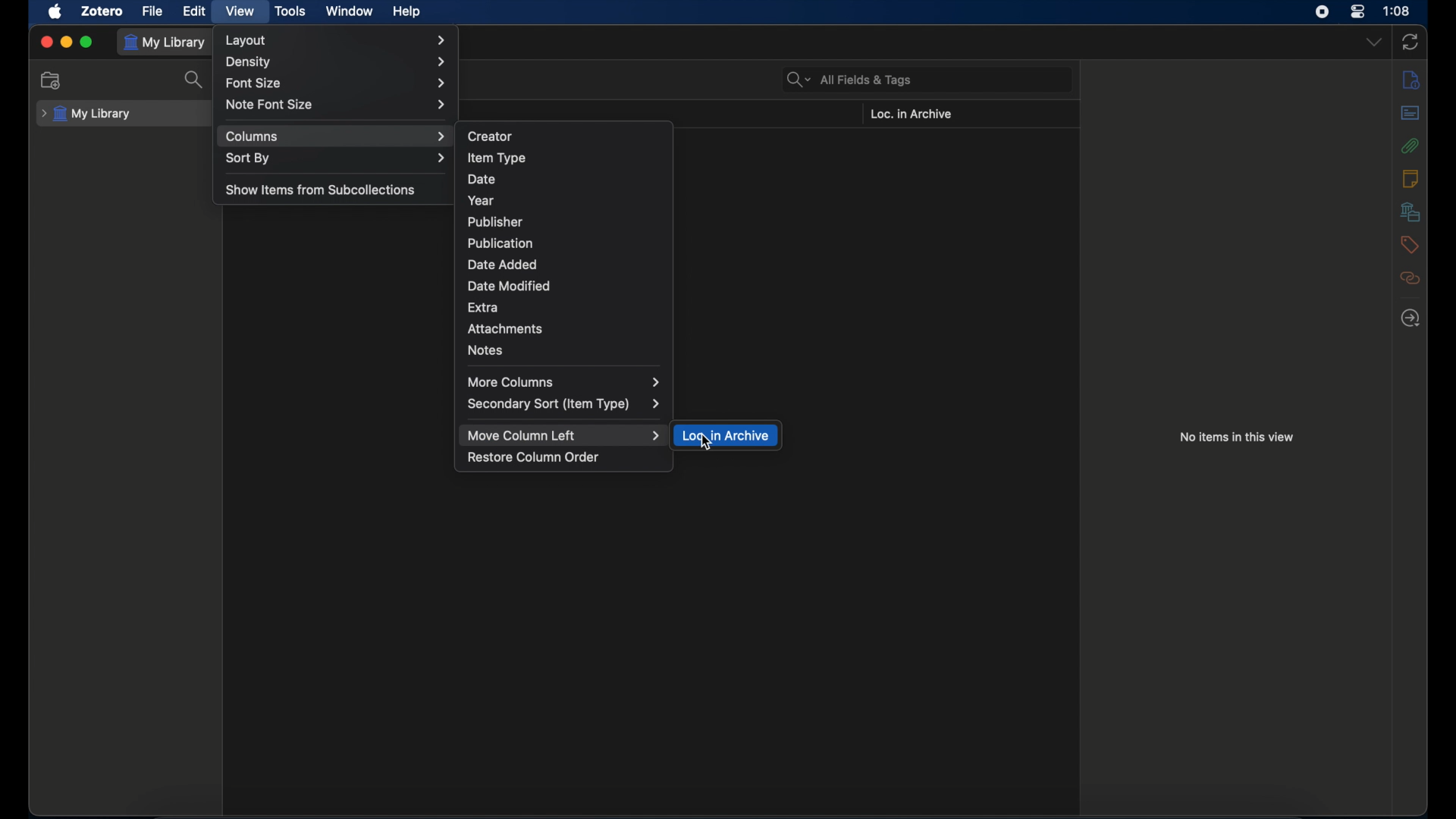  What do you see at coordinates (51, 80) in the screenshot?
I see `new collection` at bounding box center [51, 80].